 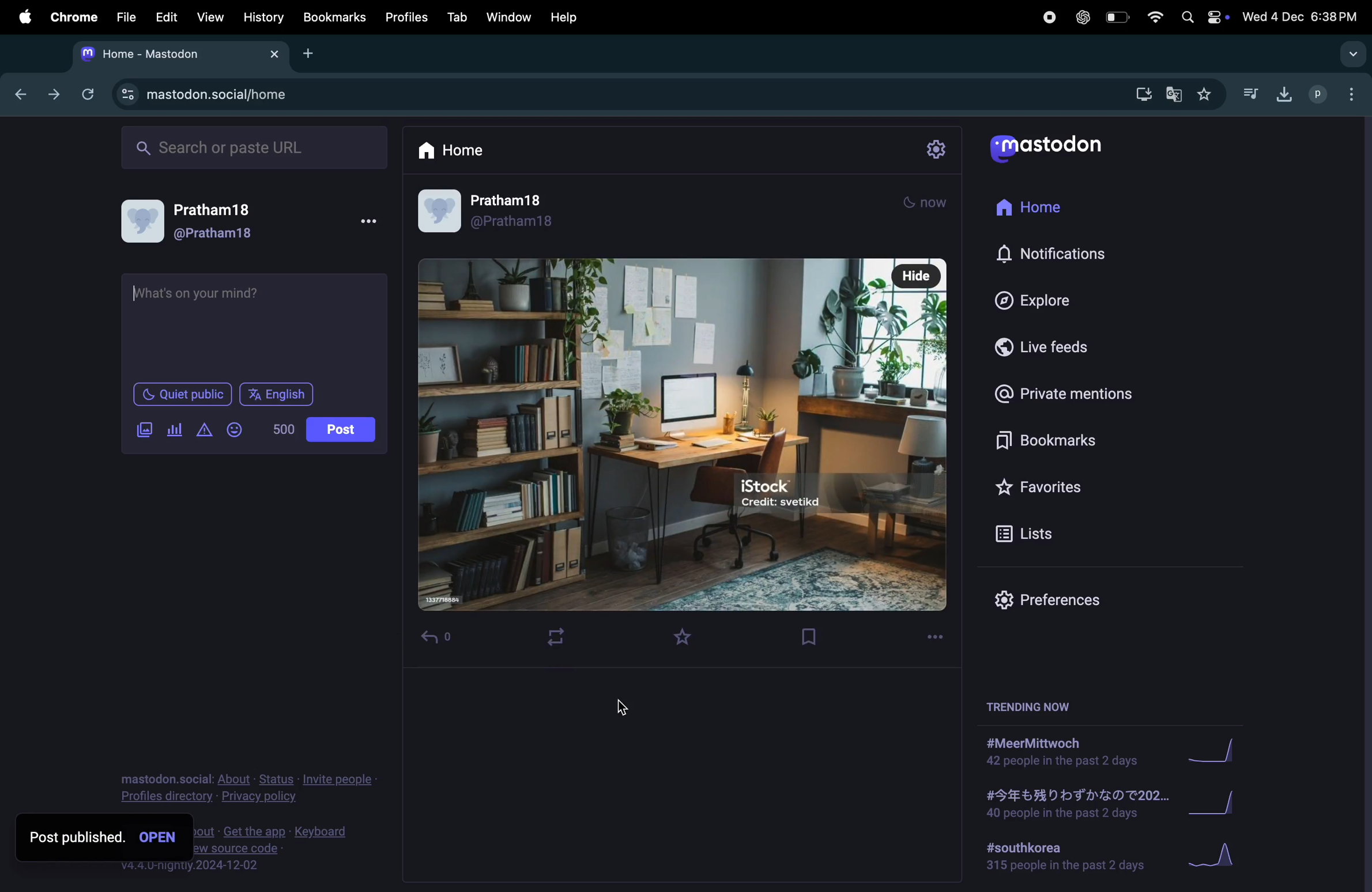 I want to click on add tab, so click(x=311, y=58).